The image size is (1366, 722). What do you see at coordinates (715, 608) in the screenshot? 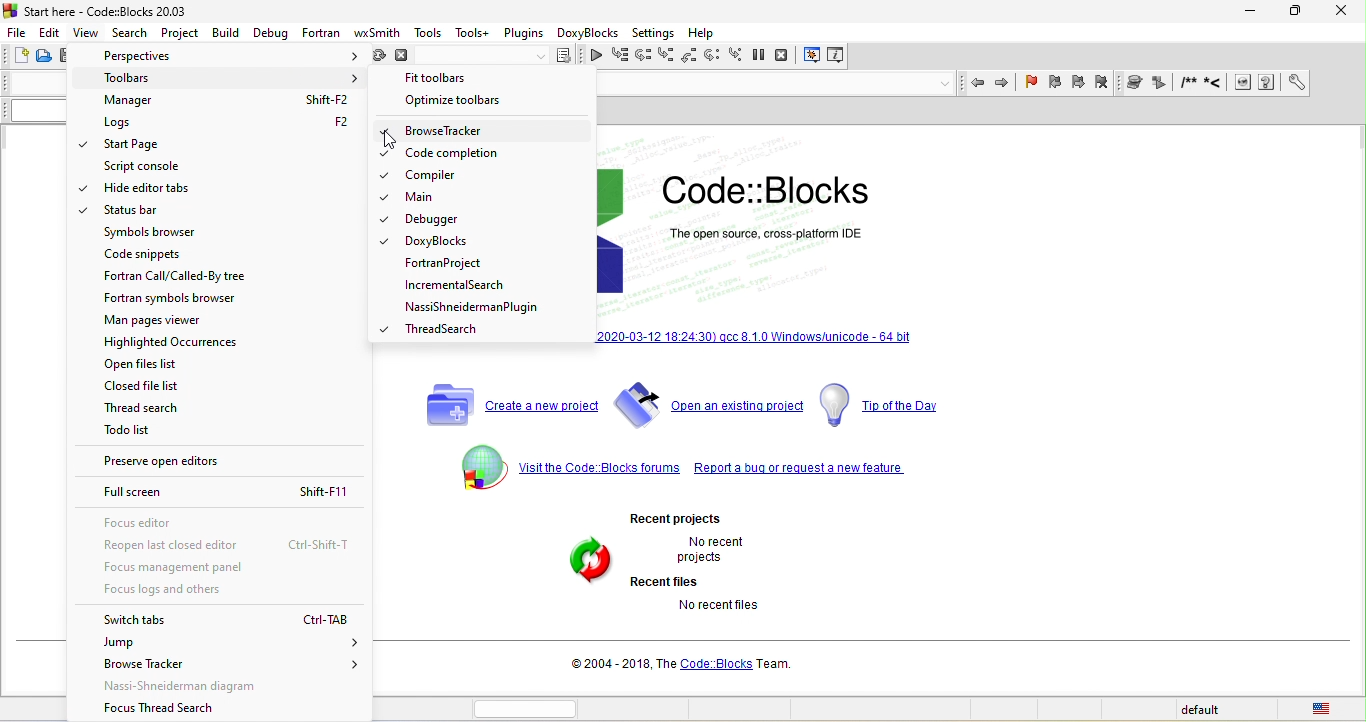
I see `no recent files` at bounding box center [715, 608].